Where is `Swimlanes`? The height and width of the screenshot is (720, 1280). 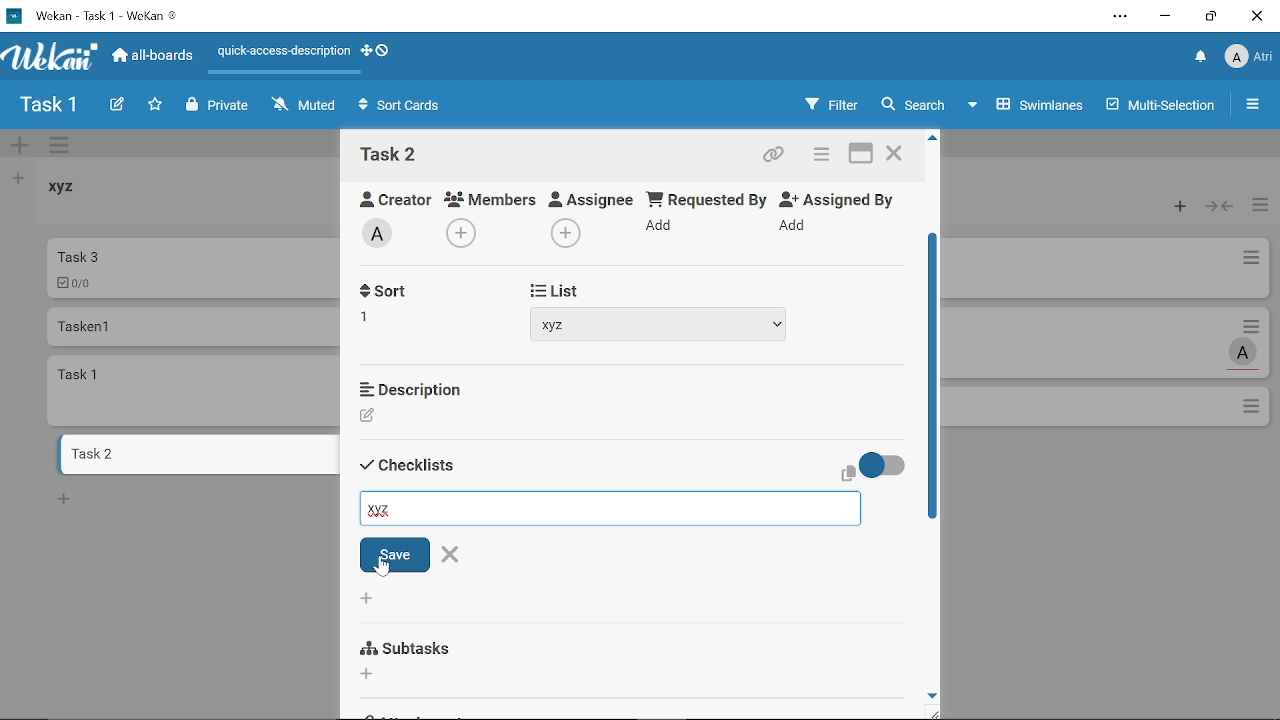
Swimlanes is located at coordinates (1028, 103).